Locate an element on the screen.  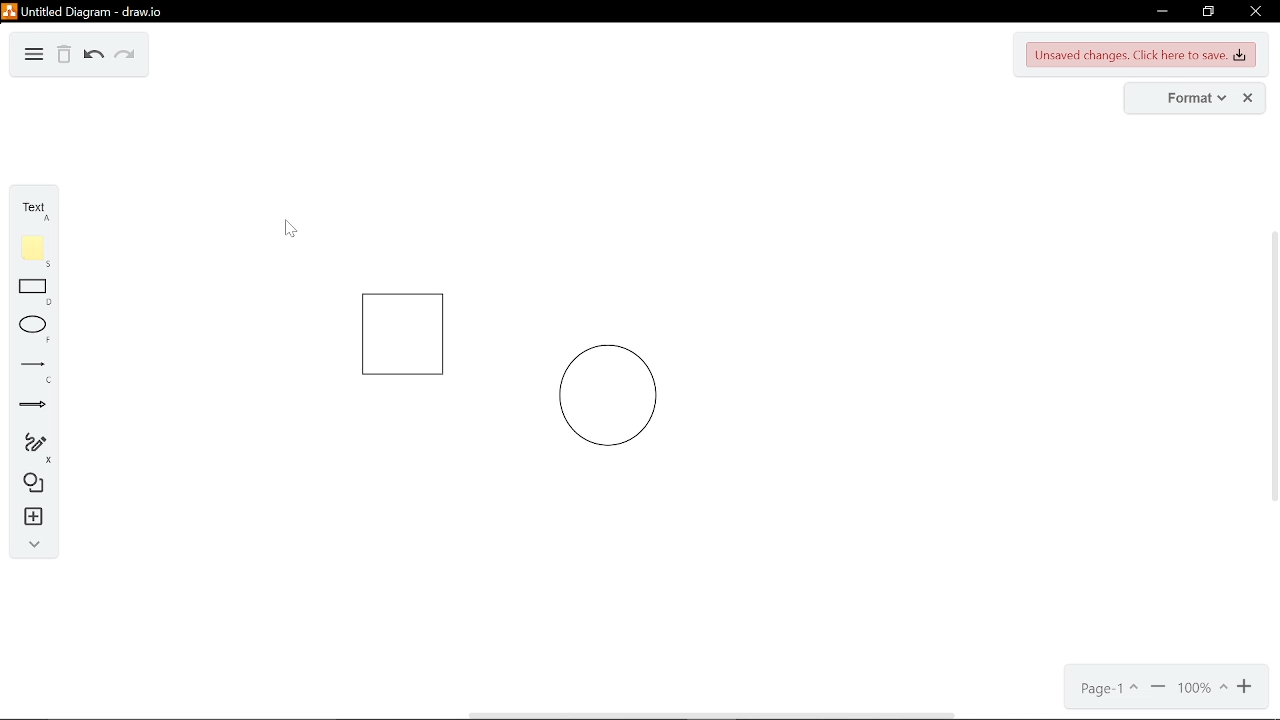
close is located at coordinates (1248, 98).